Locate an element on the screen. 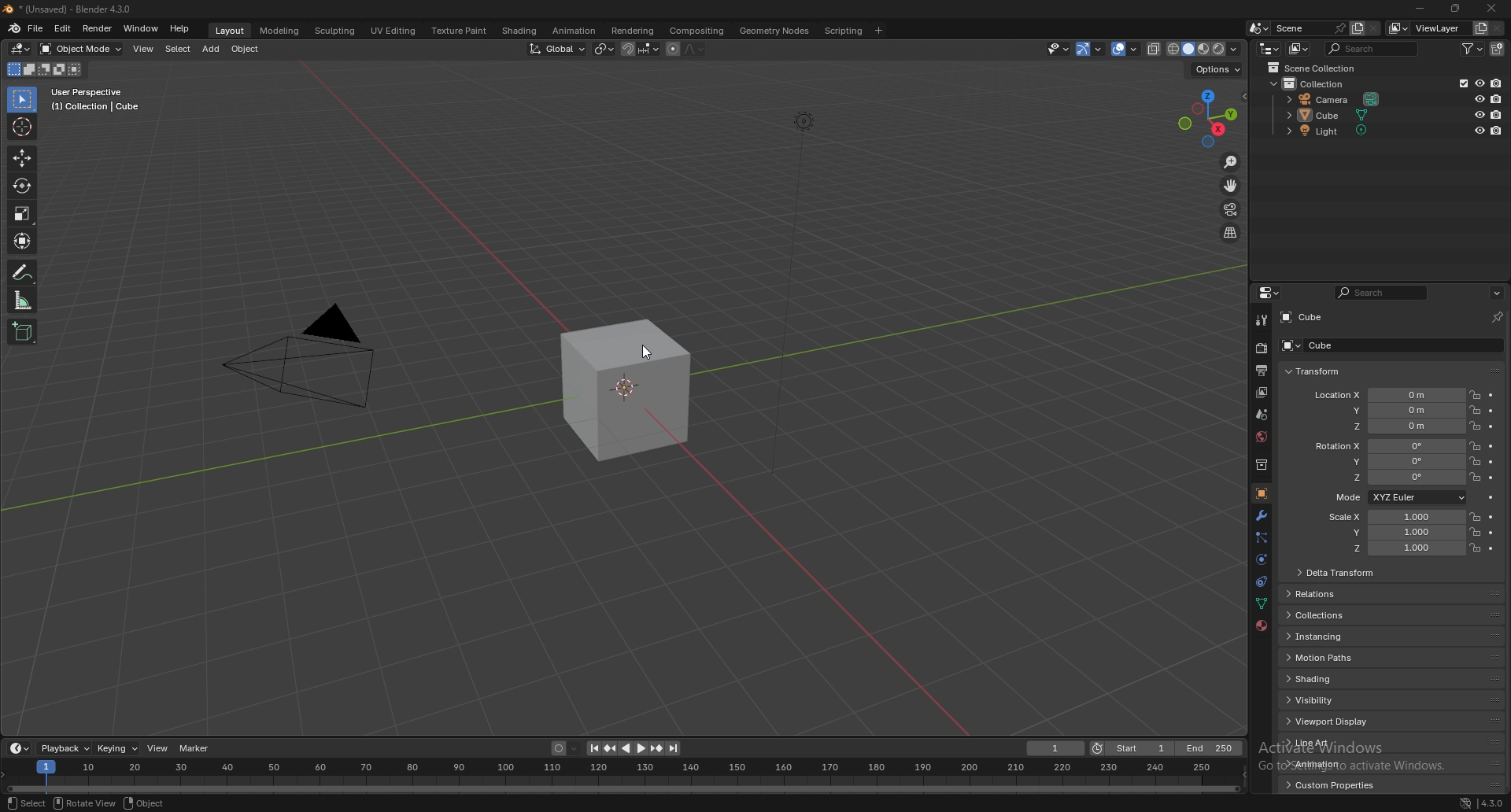 This screenshot has width=1511, height=812. output is located at coordinates (1264, 370).